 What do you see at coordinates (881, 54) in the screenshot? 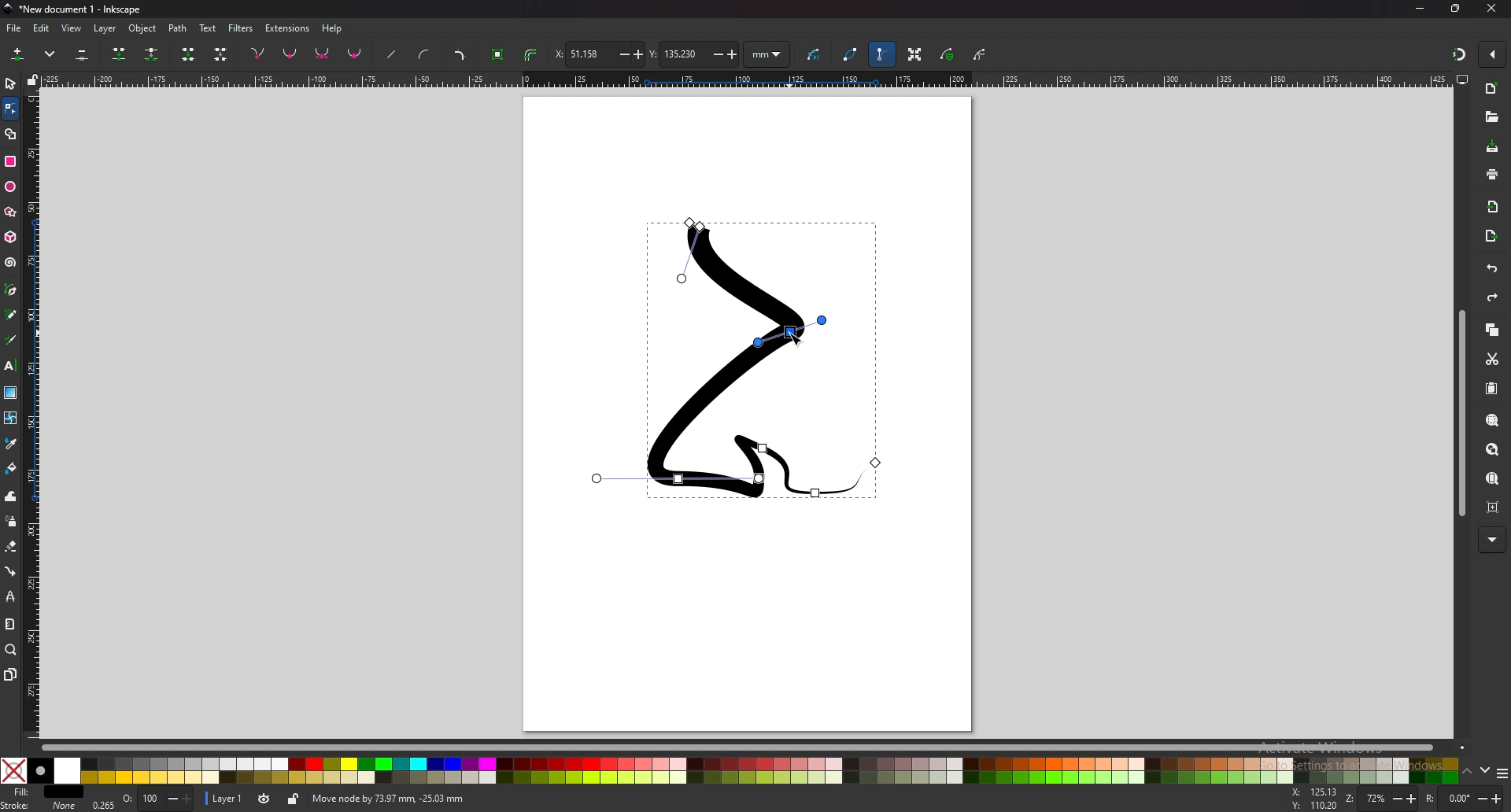
I see `show bezier handle` at bounding box center [881, 54].